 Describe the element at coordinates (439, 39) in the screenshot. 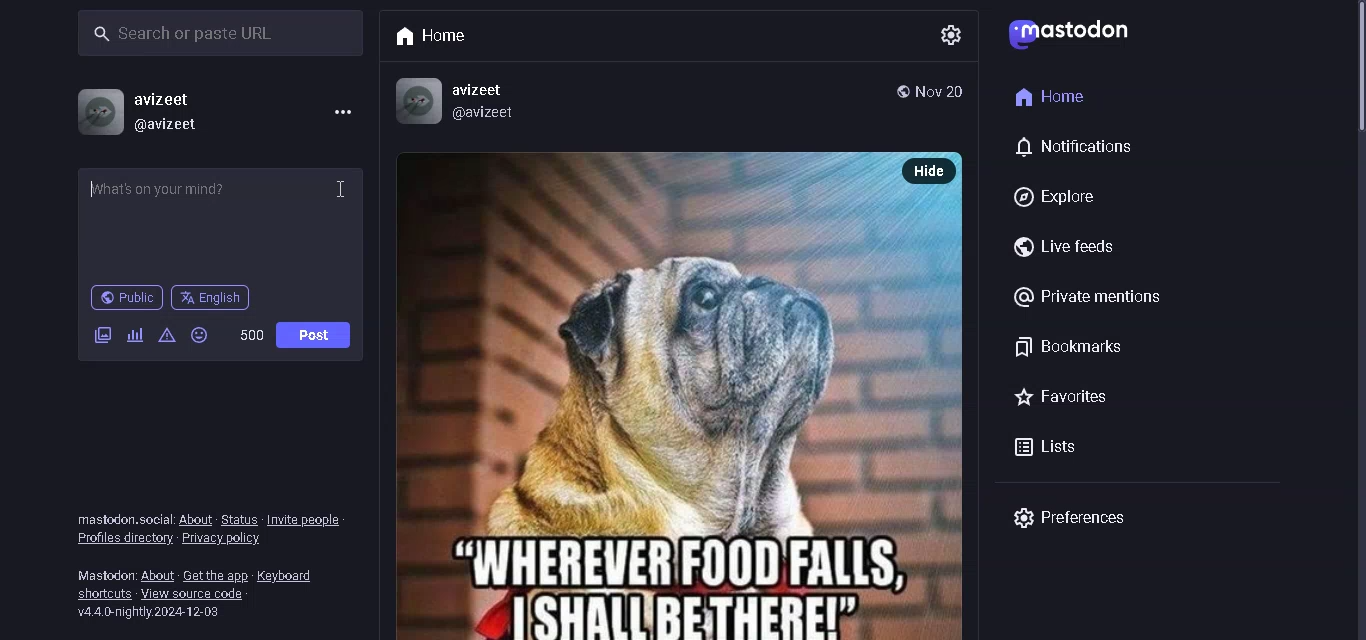

I see `Home tab` at that location.